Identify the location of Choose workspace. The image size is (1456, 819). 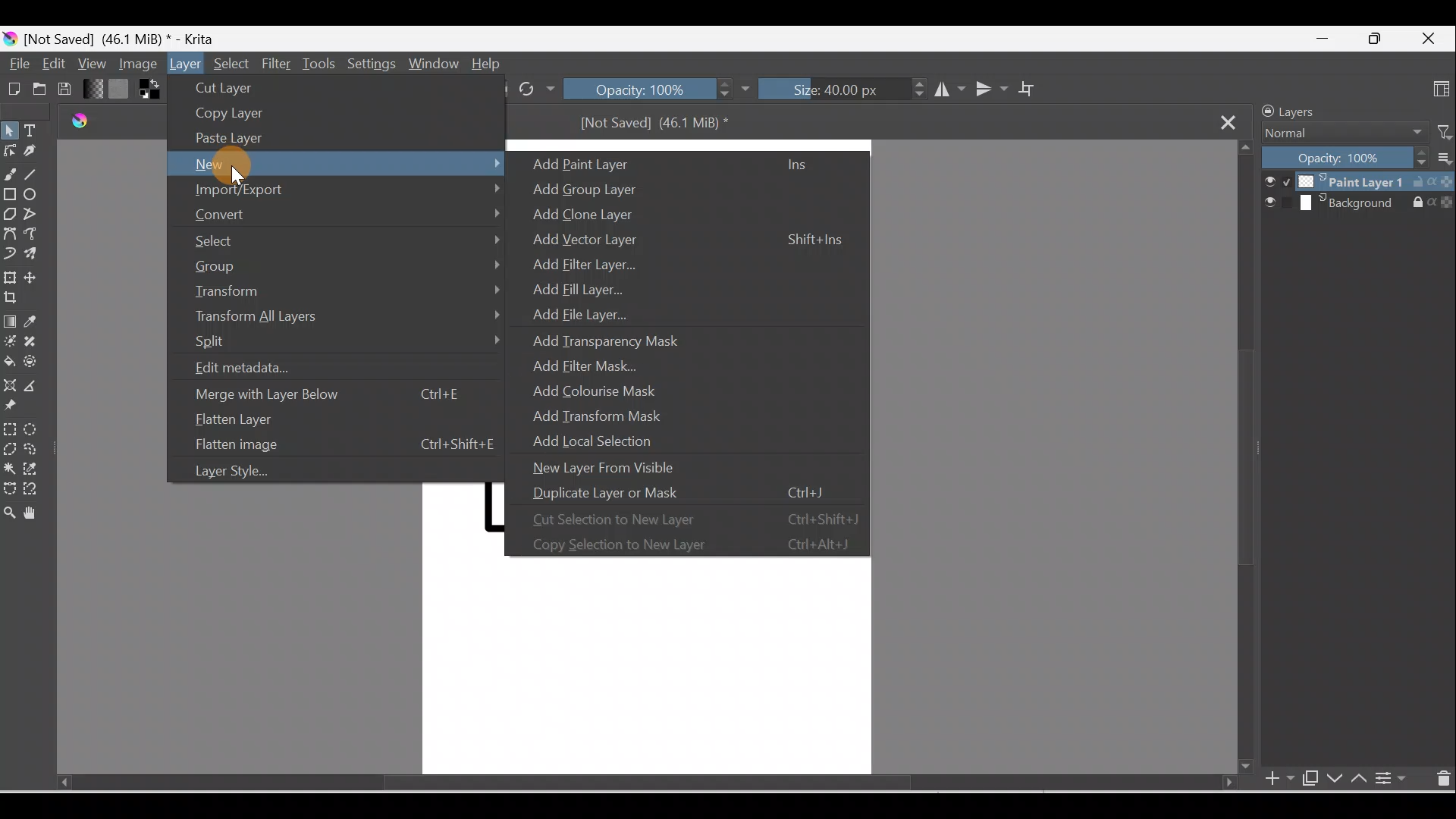
(1439, 89).